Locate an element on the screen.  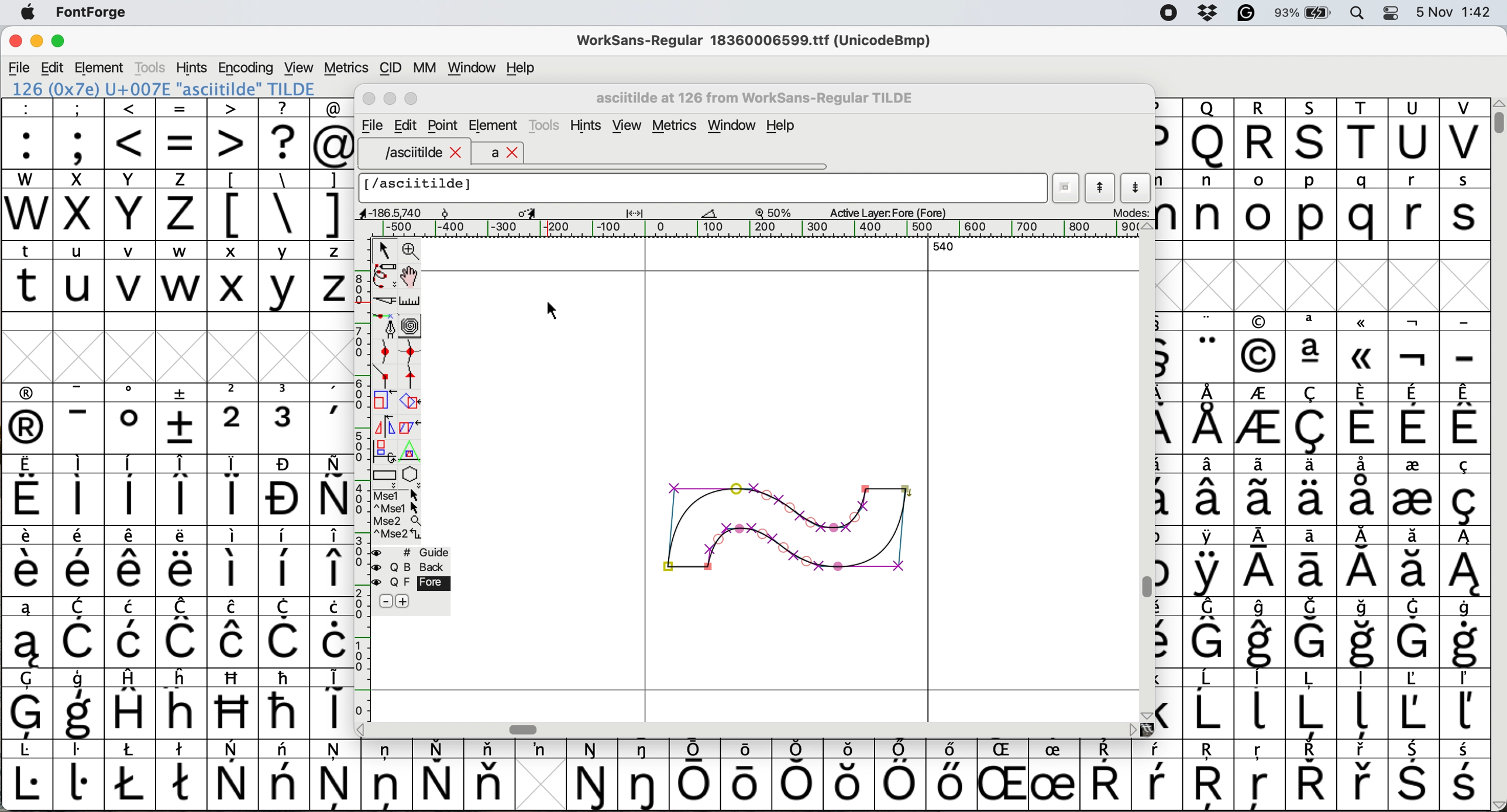
V is located at coordinates (1464, 134).